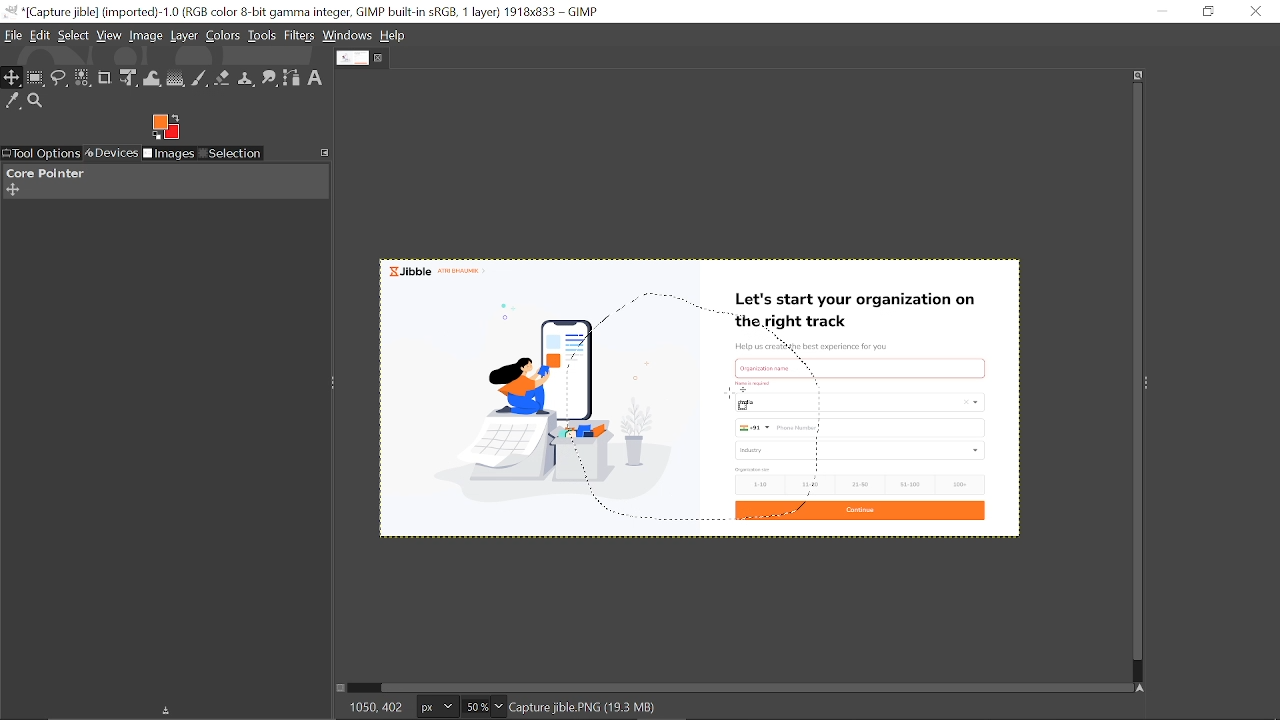  Describe the element at coordinates (230, 155) in the screenshot. I see `Selection` at that location.